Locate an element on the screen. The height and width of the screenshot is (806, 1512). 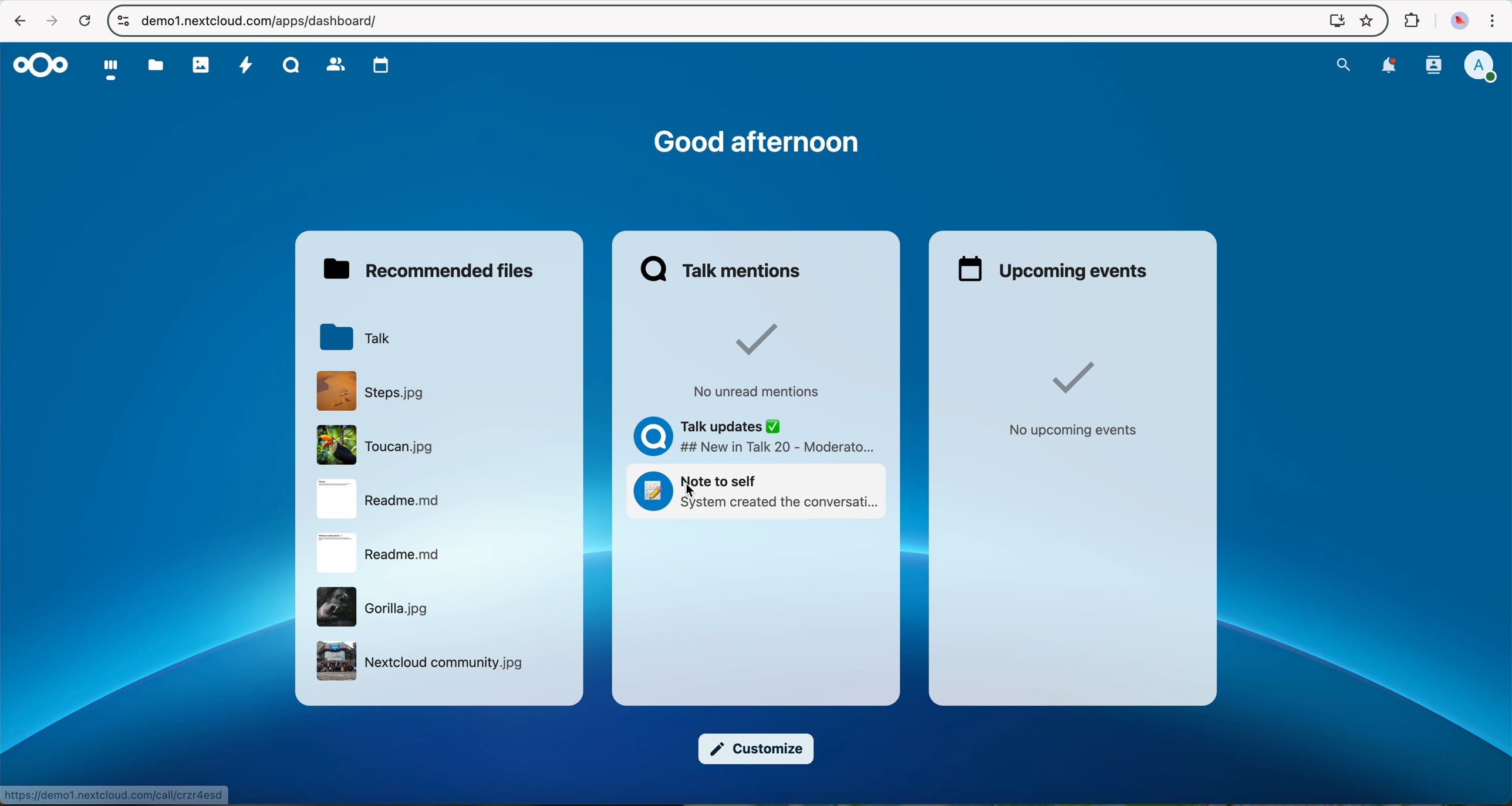
cursor is located at coordinates (693, 494).